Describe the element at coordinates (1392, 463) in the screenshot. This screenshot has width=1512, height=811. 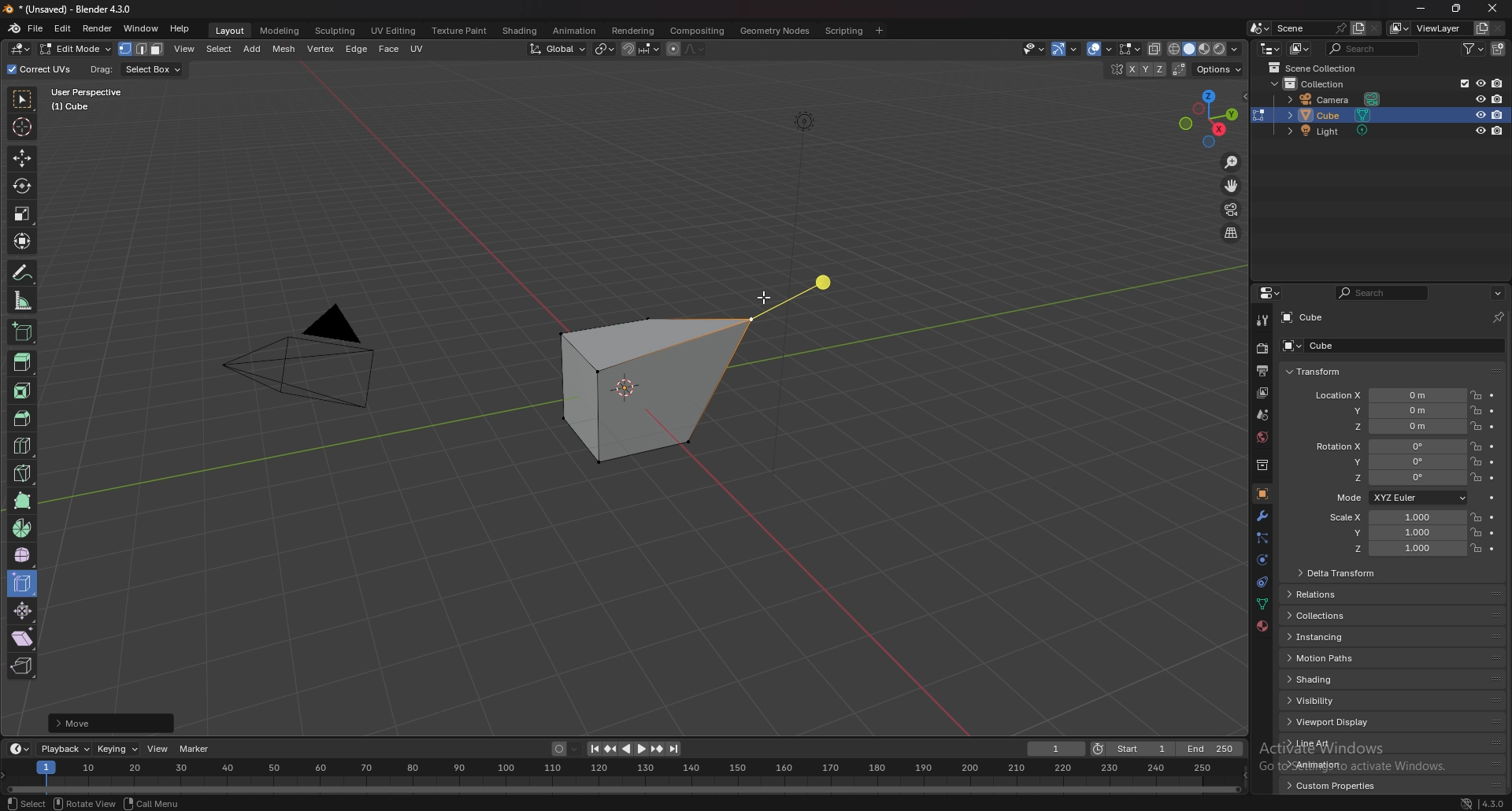
I see `rotation y` at that location.